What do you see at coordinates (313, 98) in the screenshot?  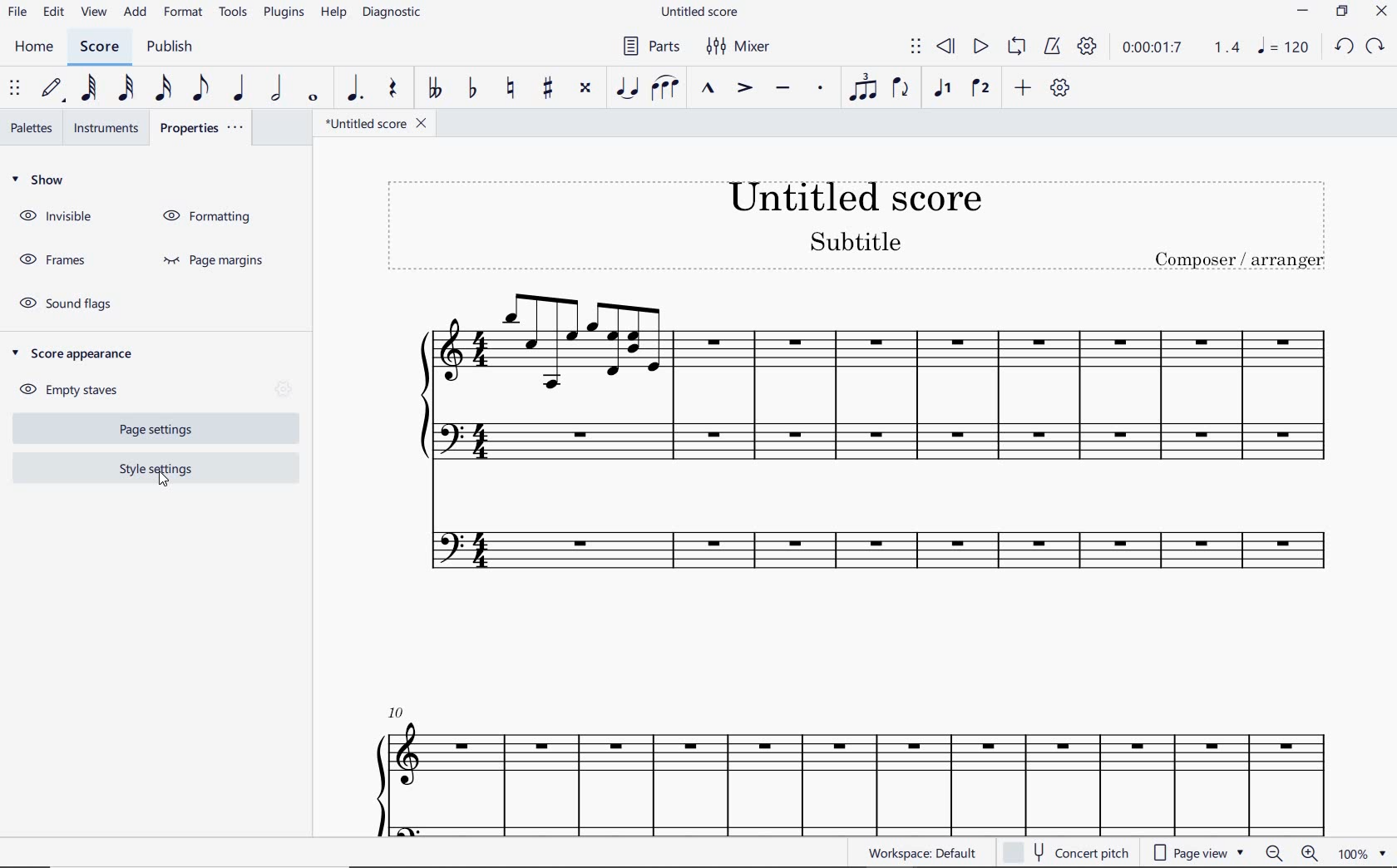 I see `WHOLE NOTE` at bounding box center [313, 98].